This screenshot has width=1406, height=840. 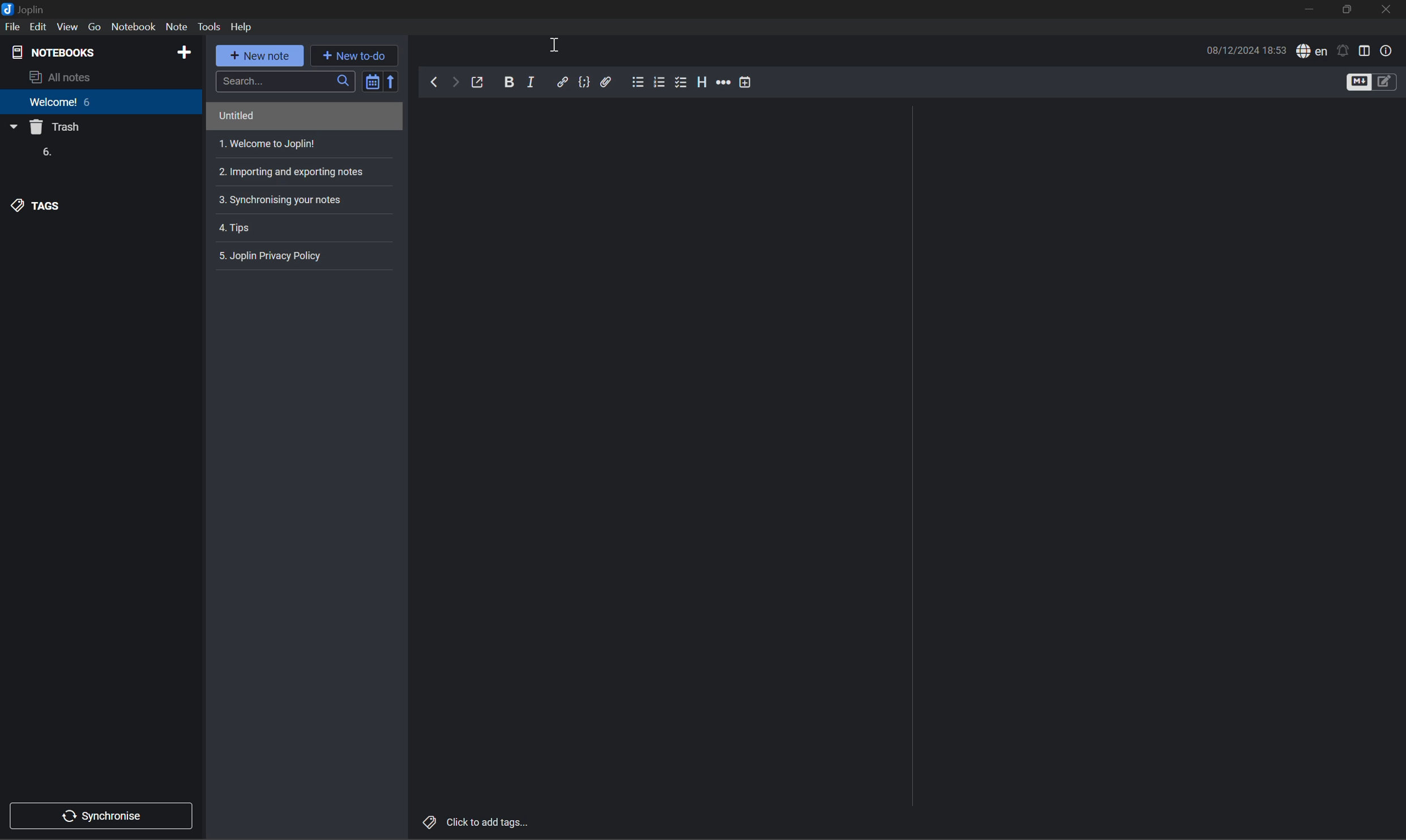 I want to click on Untitled, so click(x=234, y=114).